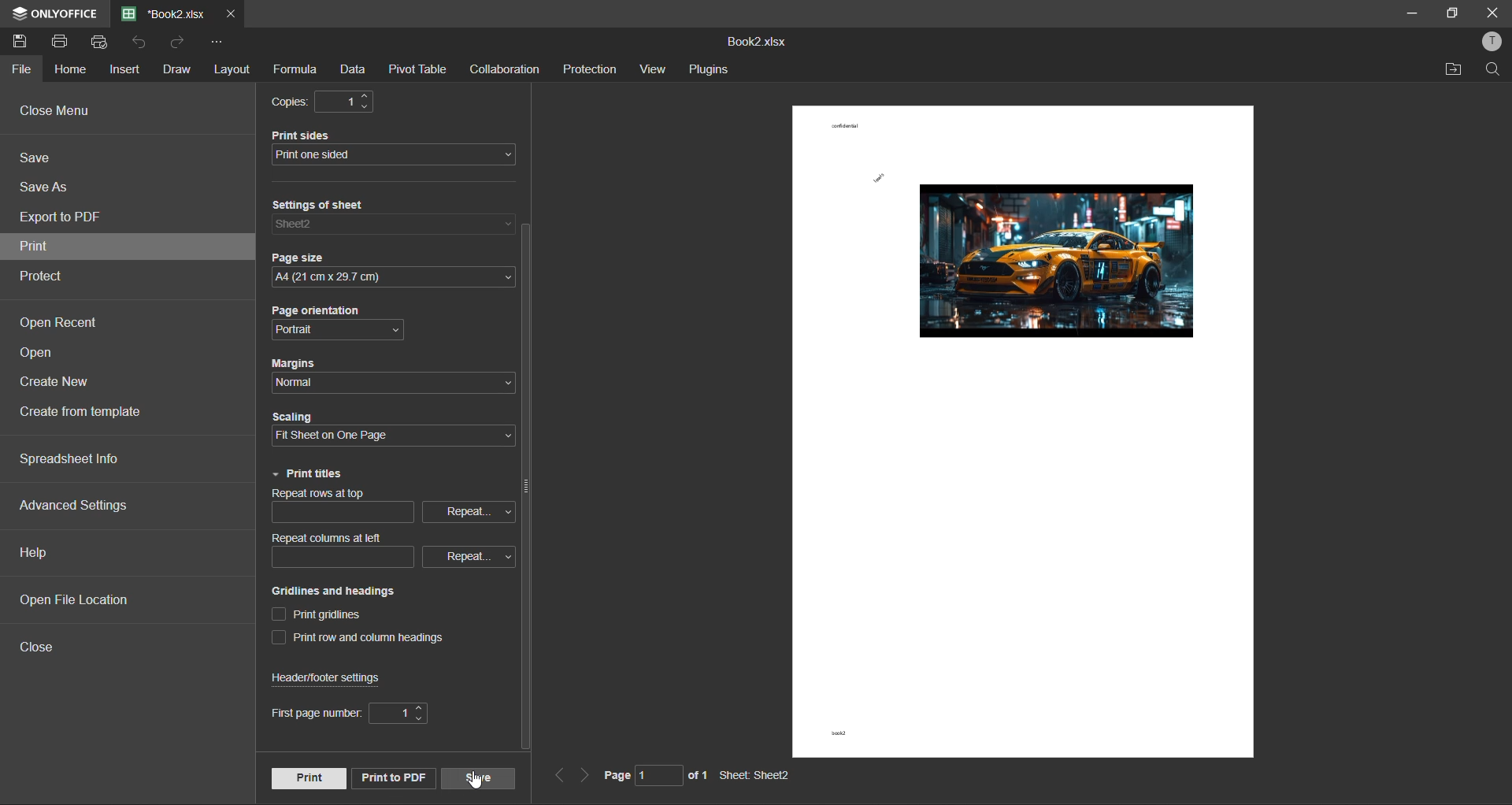 This screenshot has height=805, width=1512. I want to click on spreadsheet info, so click(71, 458).